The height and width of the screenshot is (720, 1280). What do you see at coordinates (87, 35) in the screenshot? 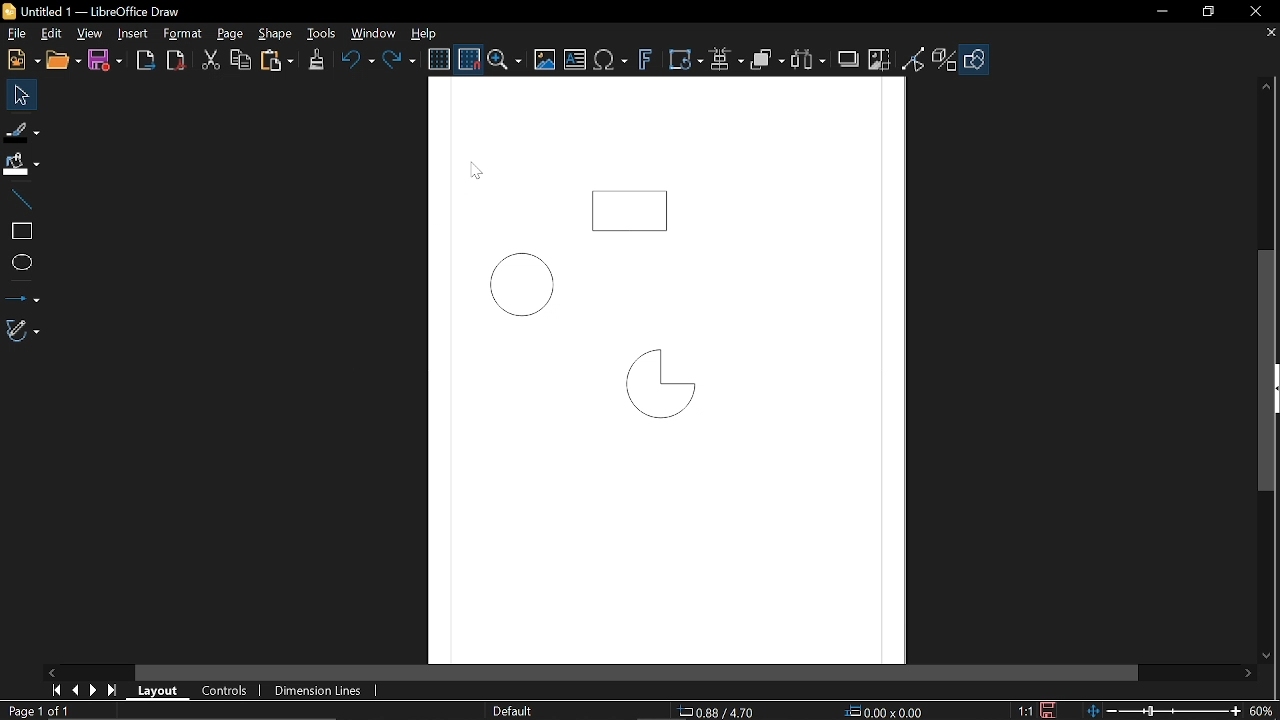
I see `View` at bounding box center [87, 35].